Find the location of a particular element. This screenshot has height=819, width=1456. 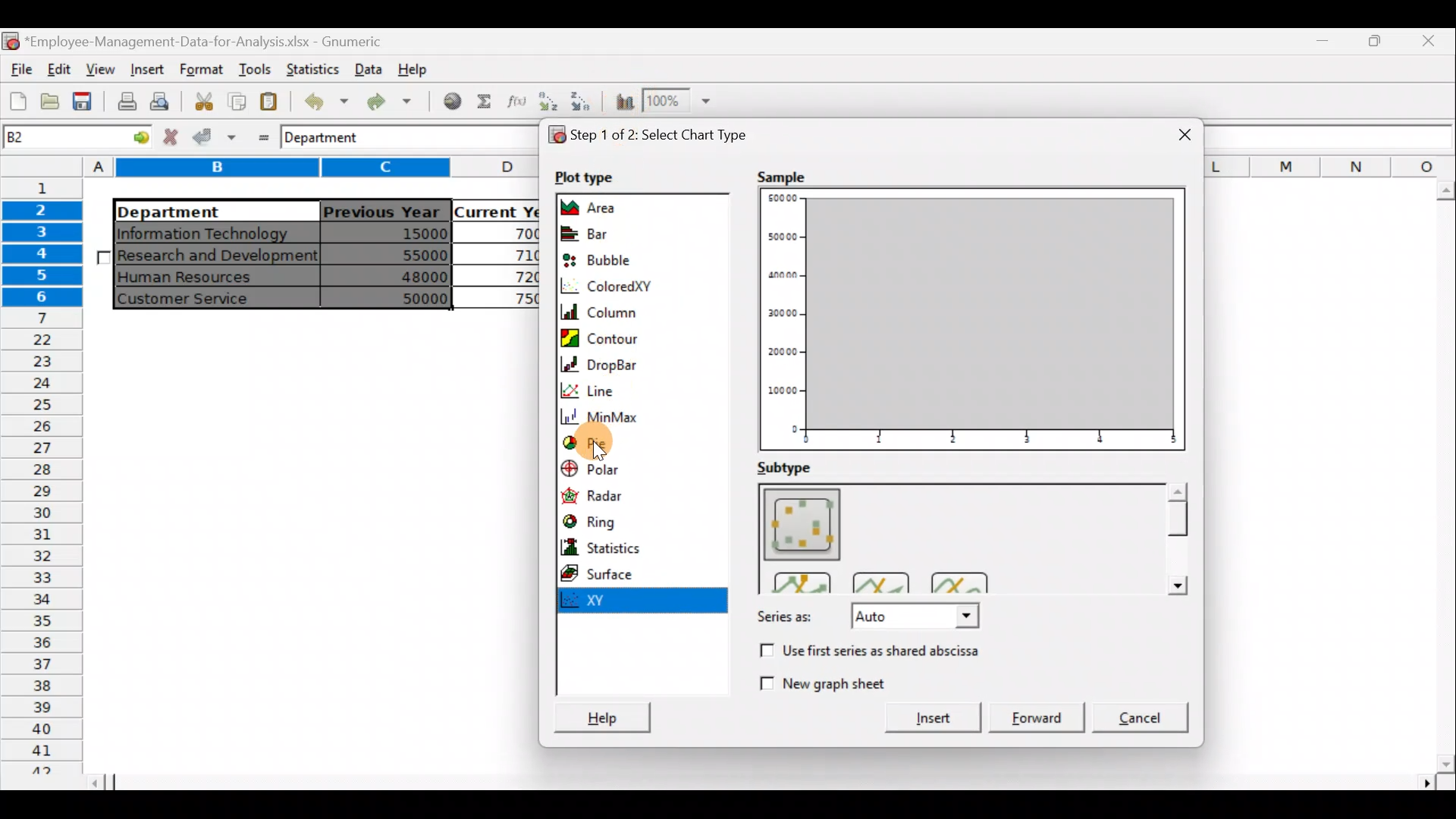

Cursor on pie chart is located at coordinates (620, 441).